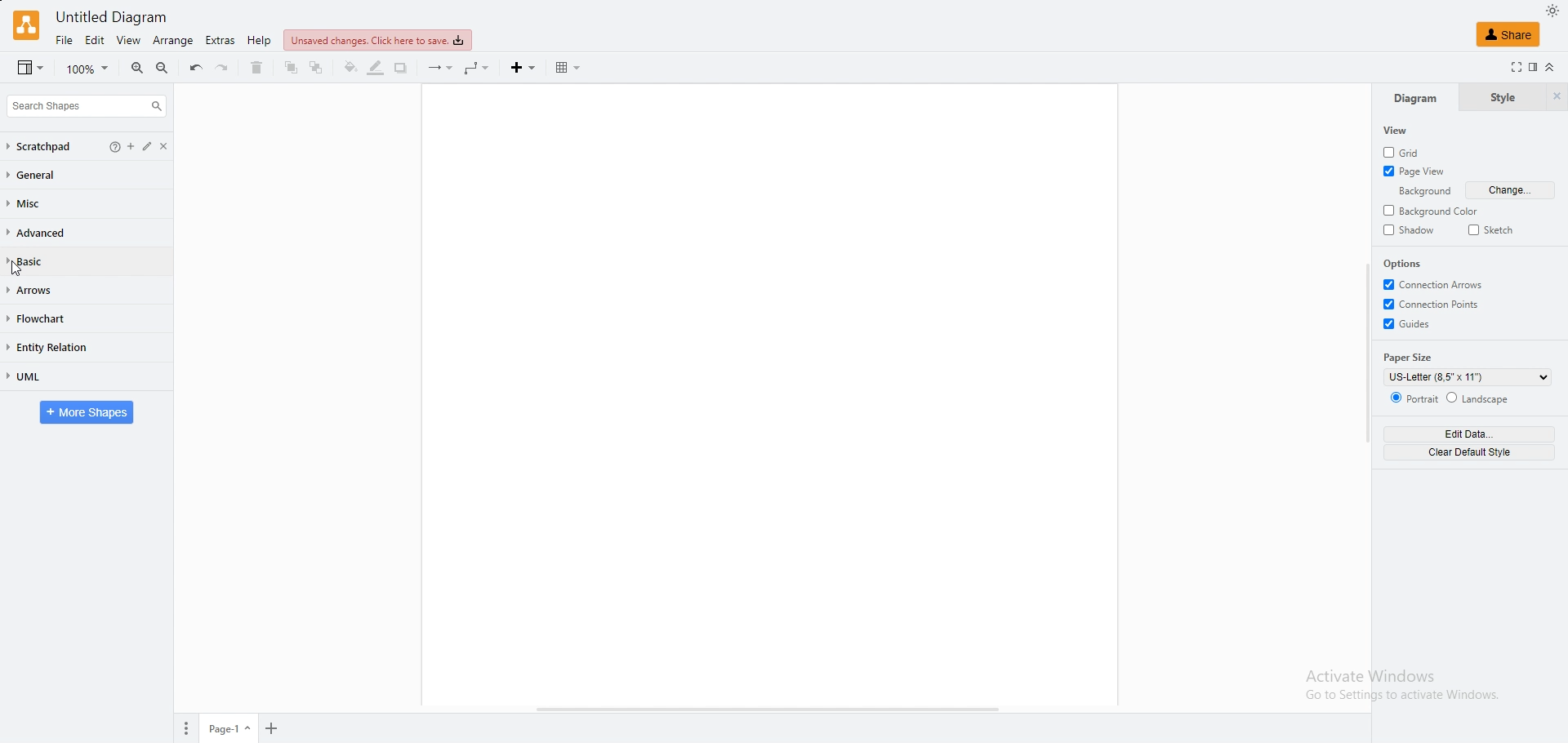  I want to click on flowchart, so click(47, 320).